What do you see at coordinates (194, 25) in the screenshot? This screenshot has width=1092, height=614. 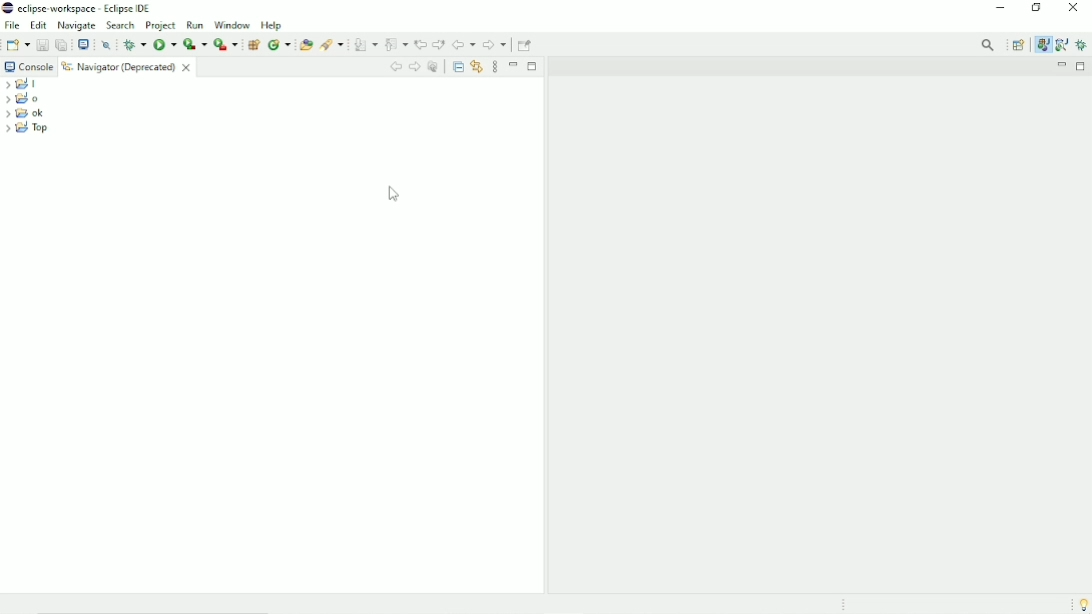 I see `Run` at bounding box center [194, 25].